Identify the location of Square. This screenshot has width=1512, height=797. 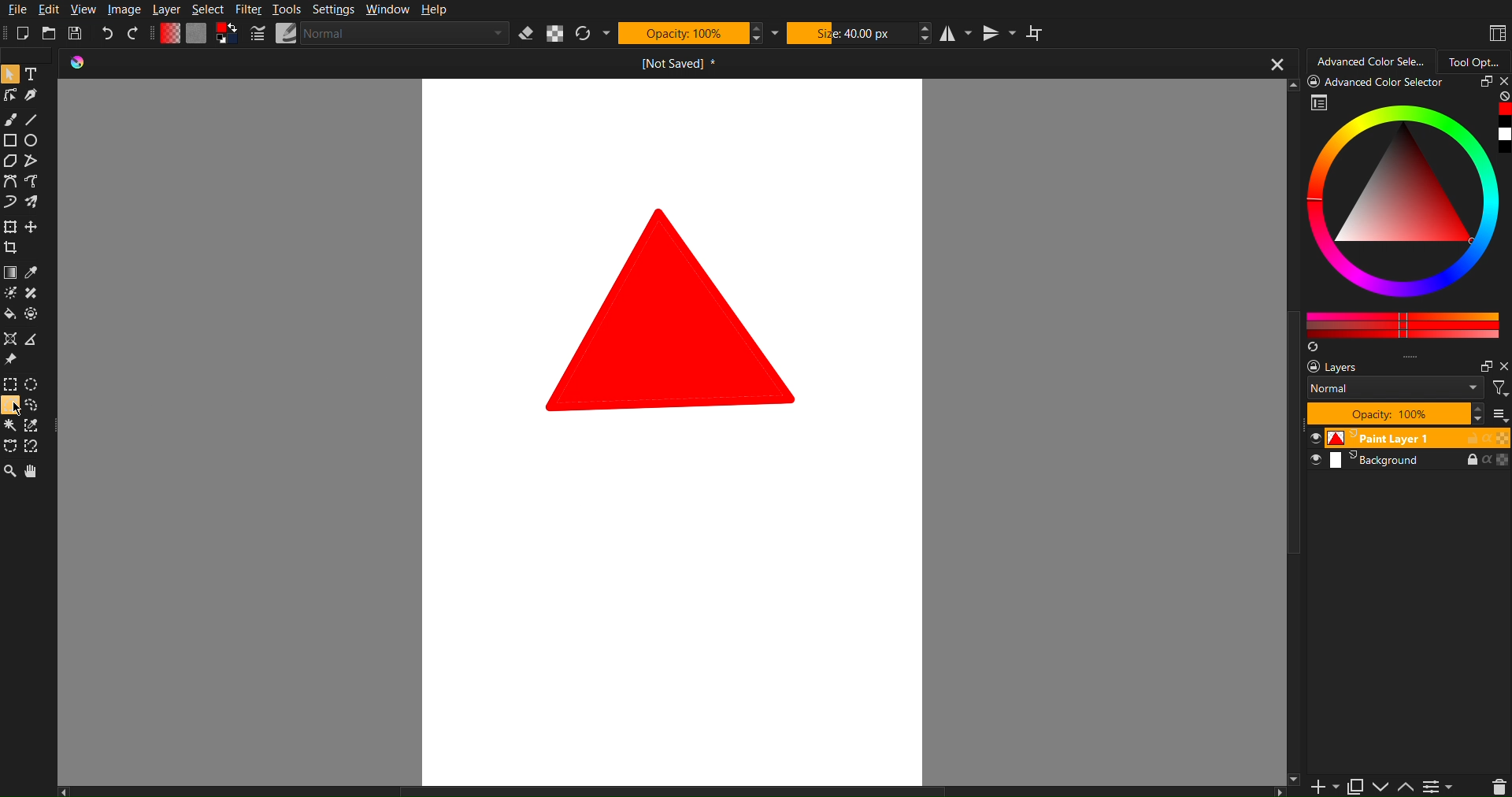
(9, 228).